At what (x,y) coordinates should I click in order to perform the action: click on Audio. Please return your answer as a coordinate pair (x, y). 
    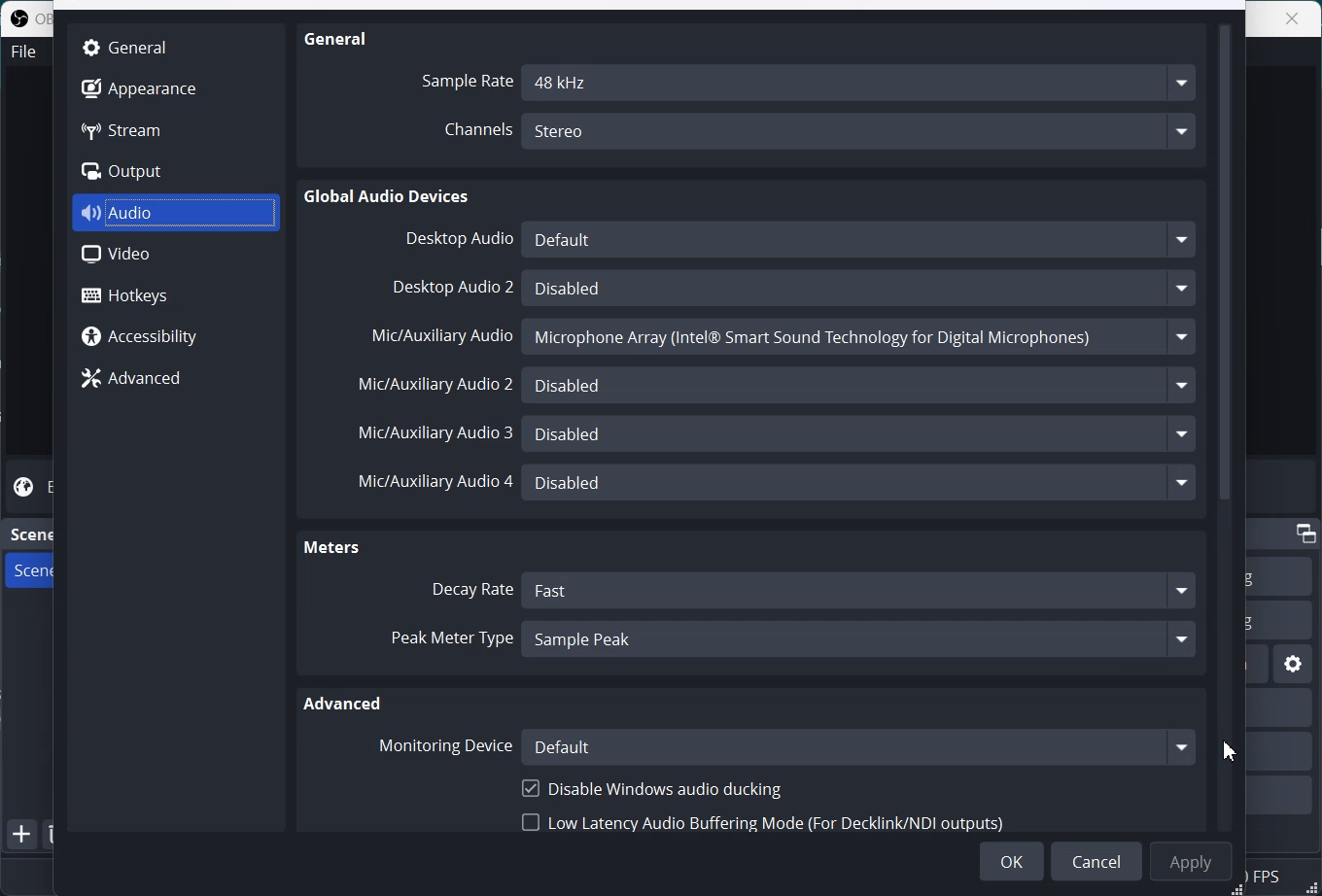
    Looking at the image, I should click on (177, 213).